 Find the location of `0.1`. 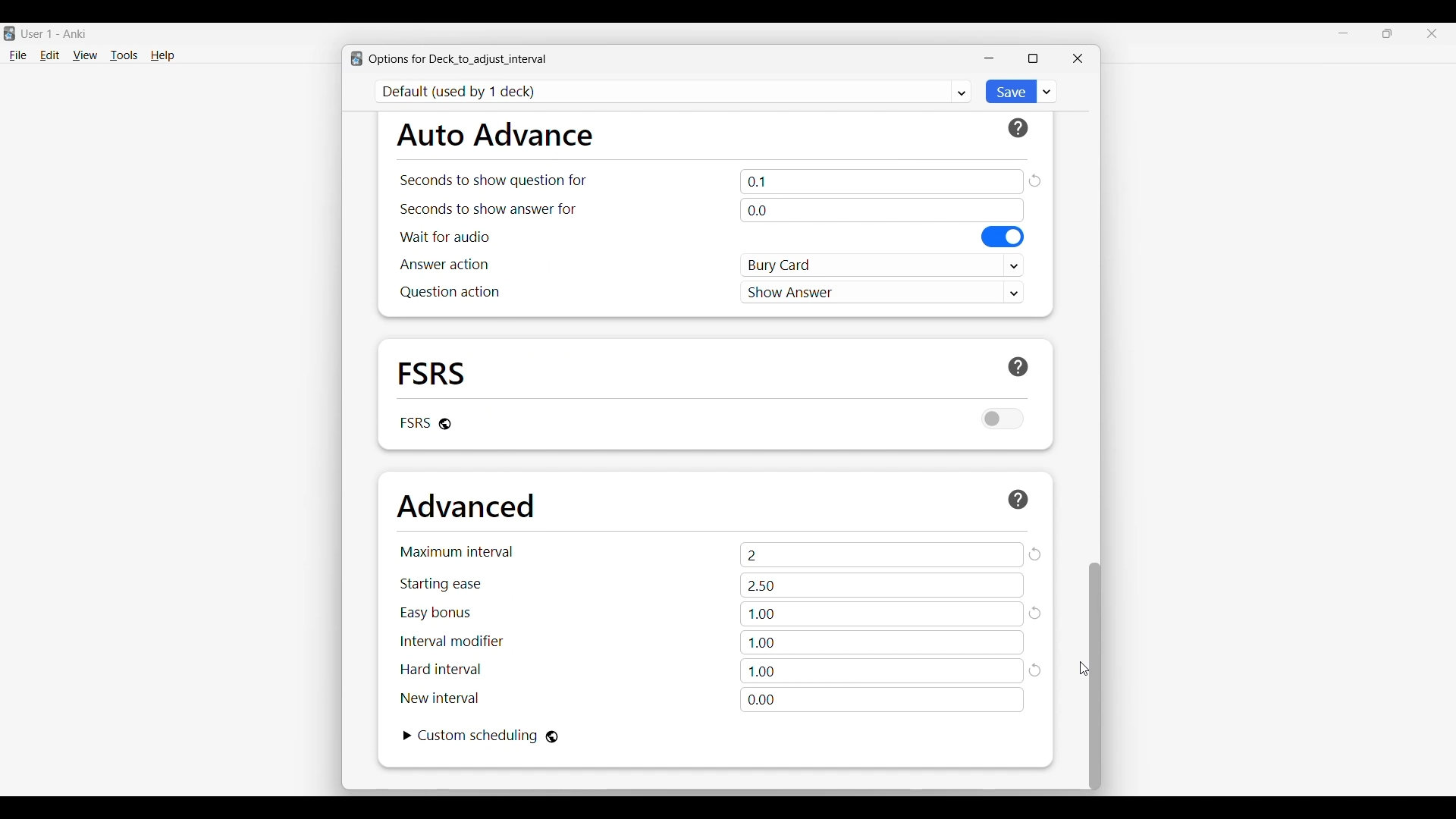

0.1 is located at coordinates (882, 181).